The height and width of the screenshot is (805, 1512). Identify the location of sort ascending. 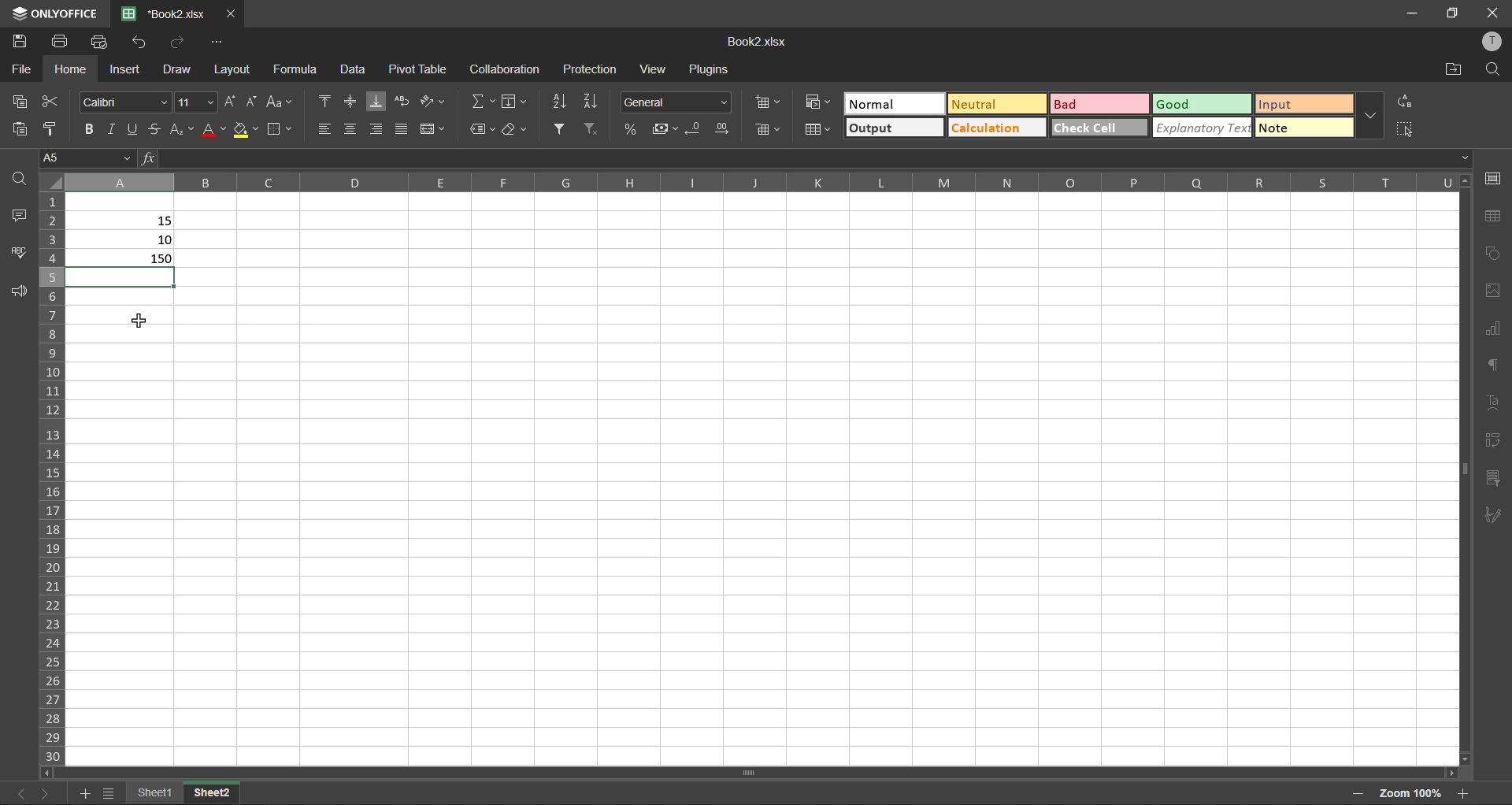
(557, 102).